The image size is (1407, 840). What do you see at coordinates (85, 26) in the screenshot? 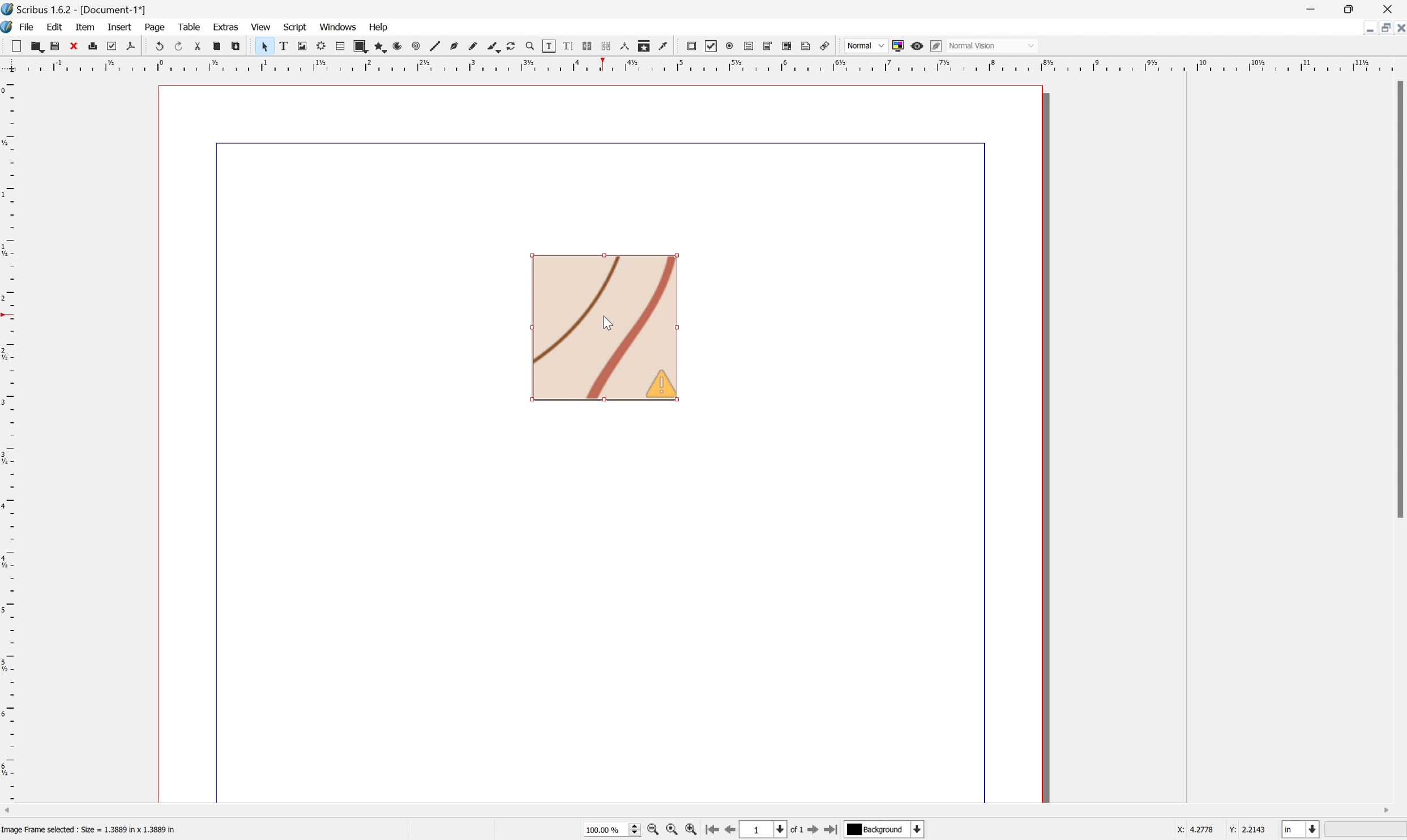
I see `Item` at bounding box center [85, 26].